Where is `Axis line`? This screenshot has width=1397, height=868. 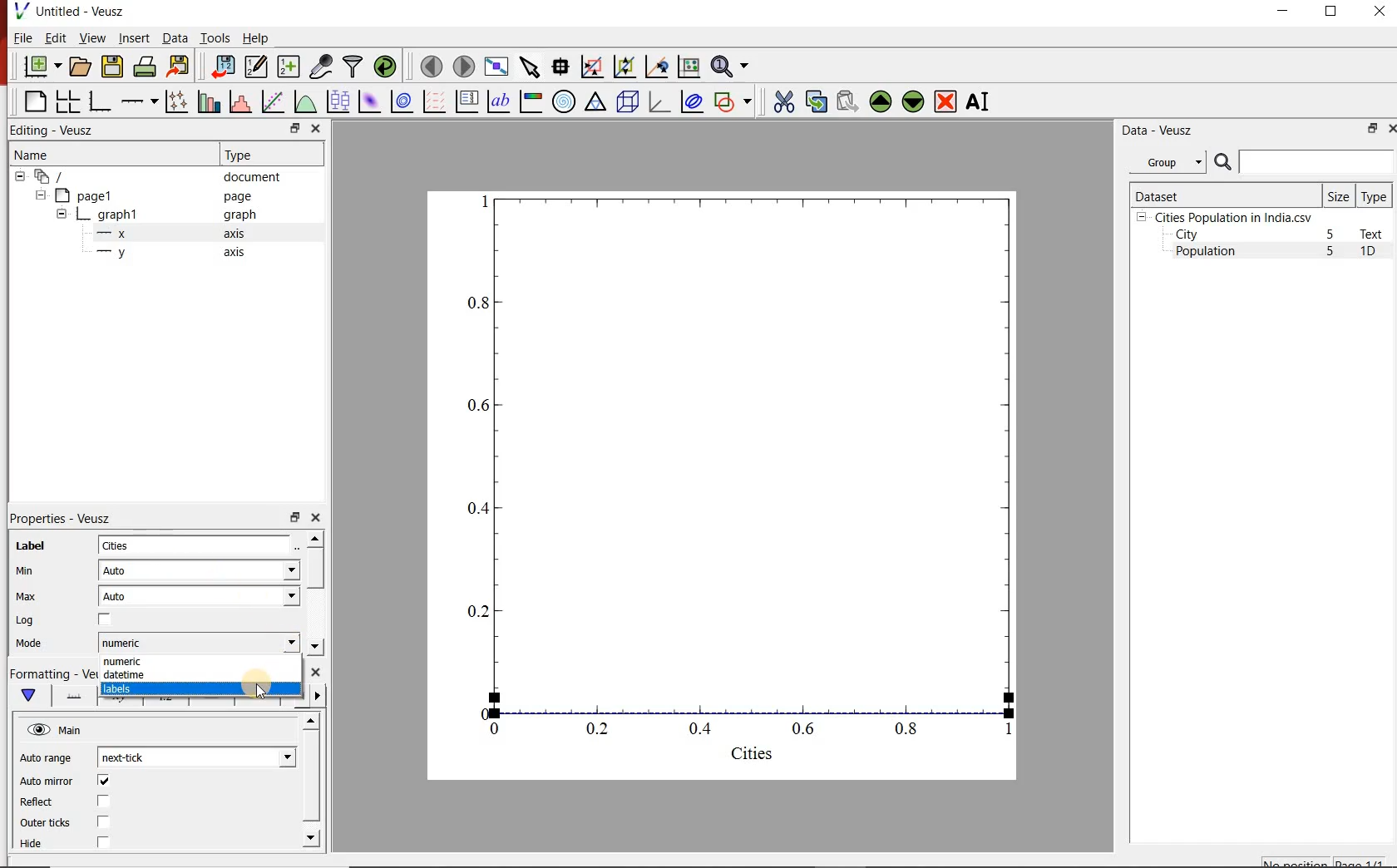
Axis line is located at coordinates (73, 698).